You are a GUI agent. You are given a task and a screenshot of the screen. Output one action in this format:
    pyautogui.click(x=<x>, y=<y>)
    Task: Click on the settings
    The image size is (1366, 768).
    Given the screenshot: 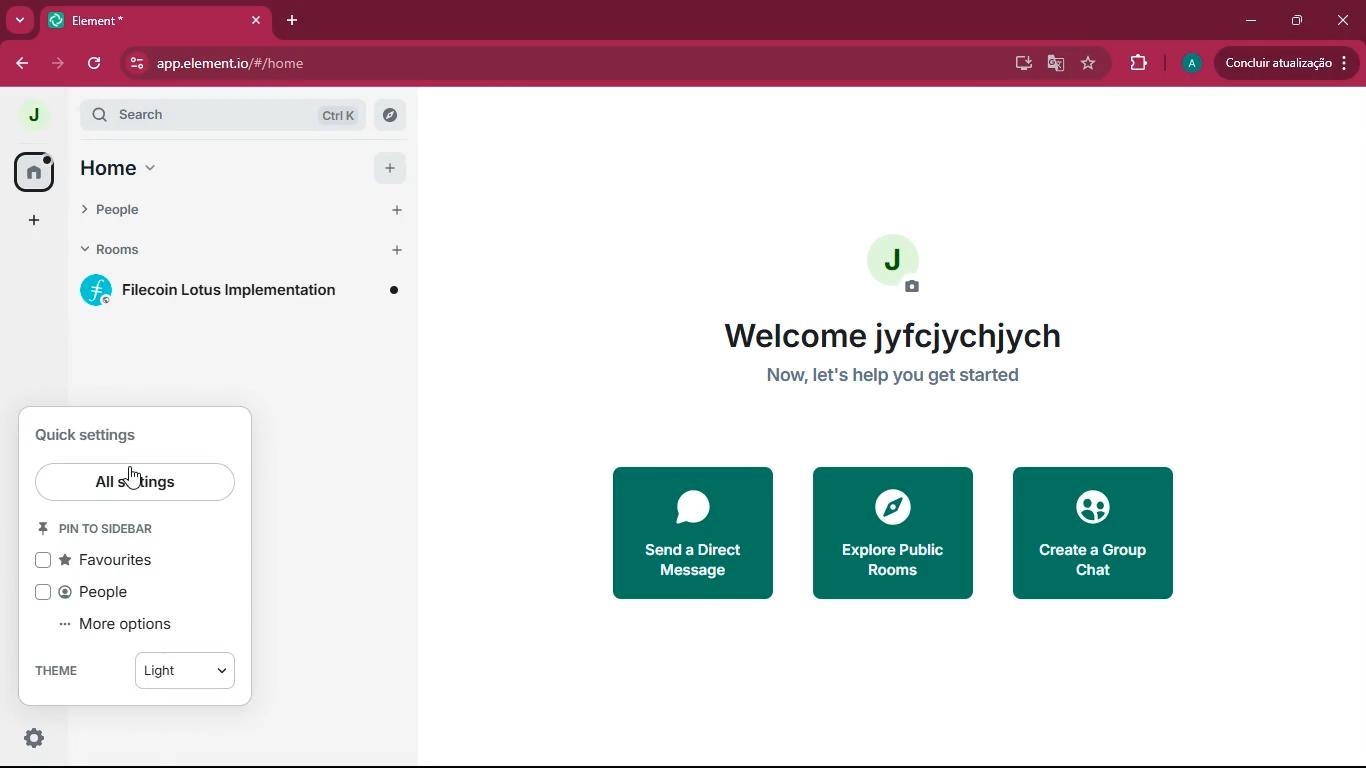 What is the action you would take?
    pyautogui.click(x=30, y=739)
    